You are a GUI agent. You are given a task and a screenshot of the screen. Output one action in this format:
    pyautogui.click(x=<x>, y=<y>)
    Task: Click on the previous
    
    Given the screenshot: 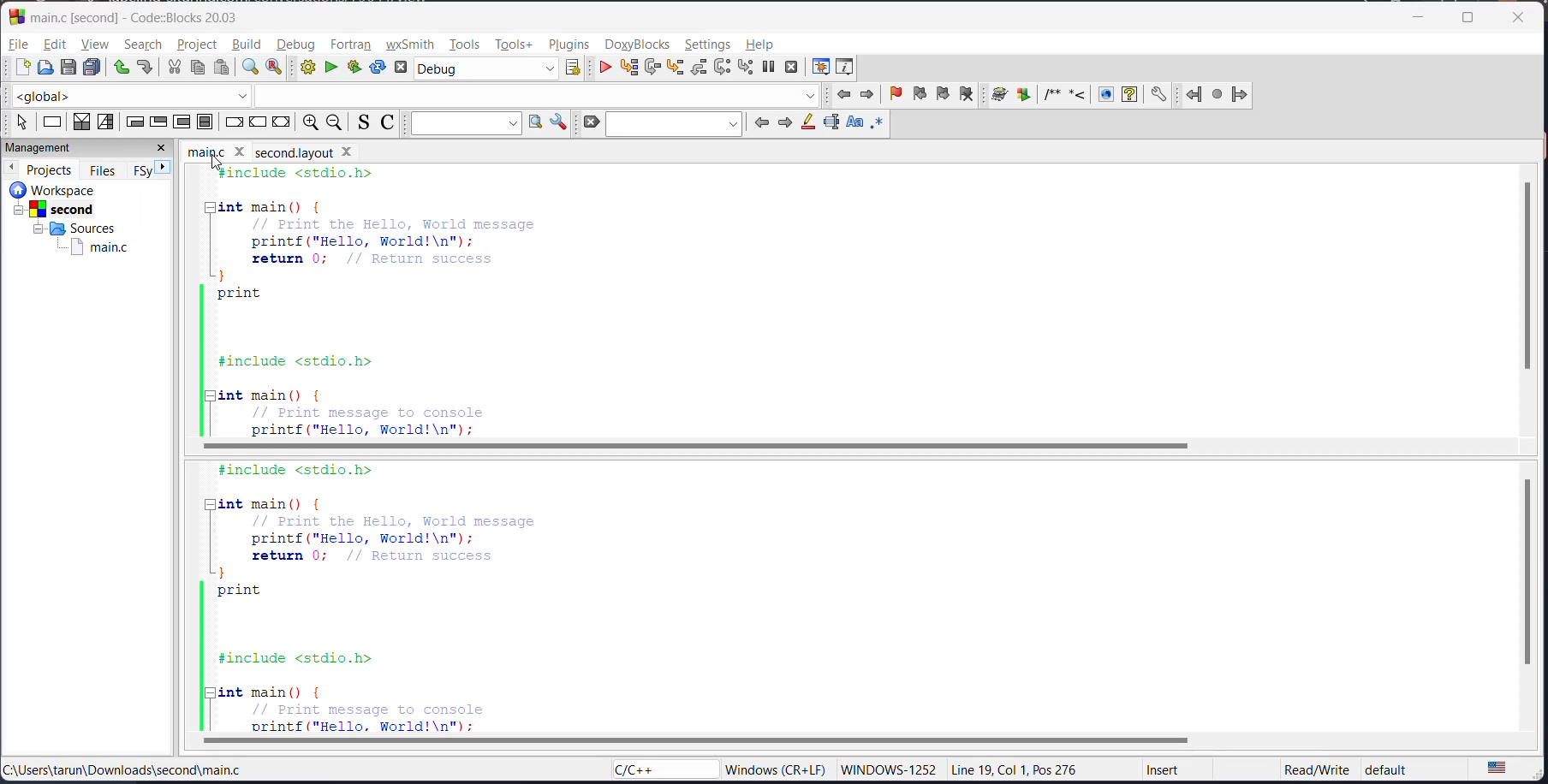 What is the action you would take?
    pyautogui.click(x=10, y=168)
    